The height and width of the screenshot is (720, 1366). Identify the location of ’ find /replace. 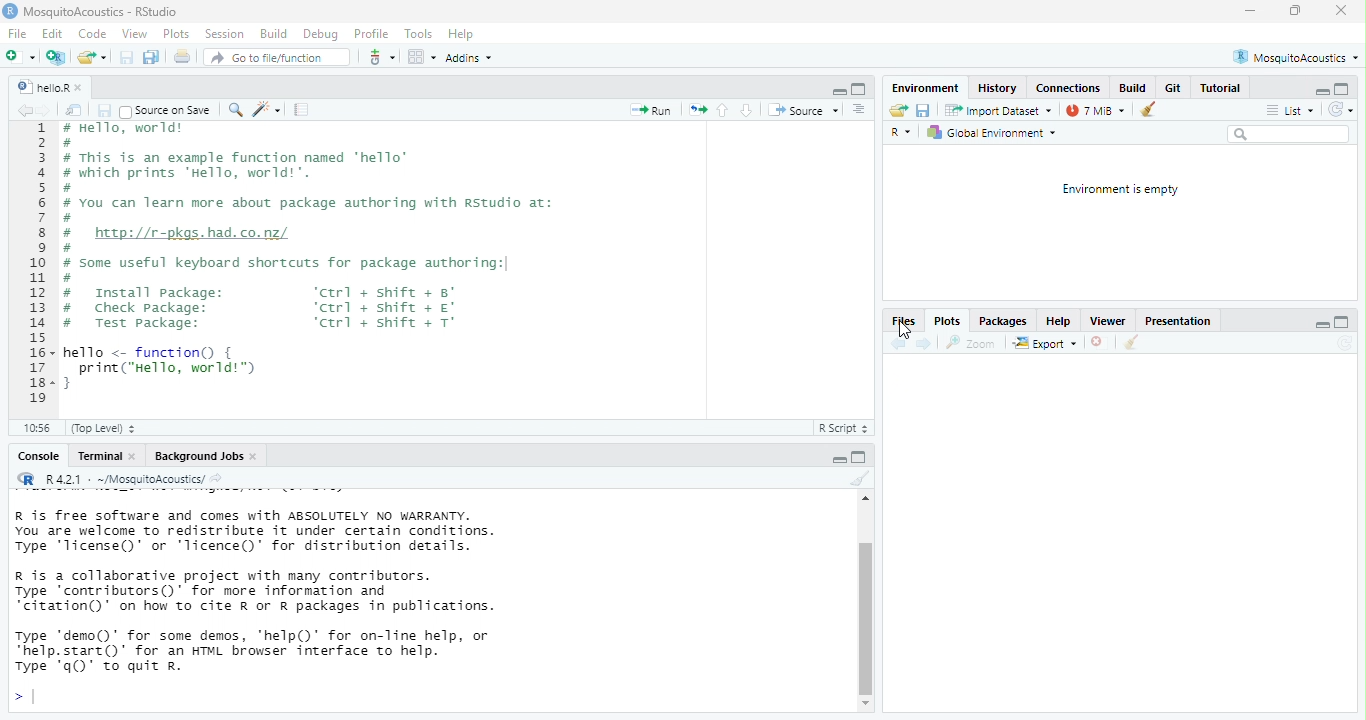
(237, 111).